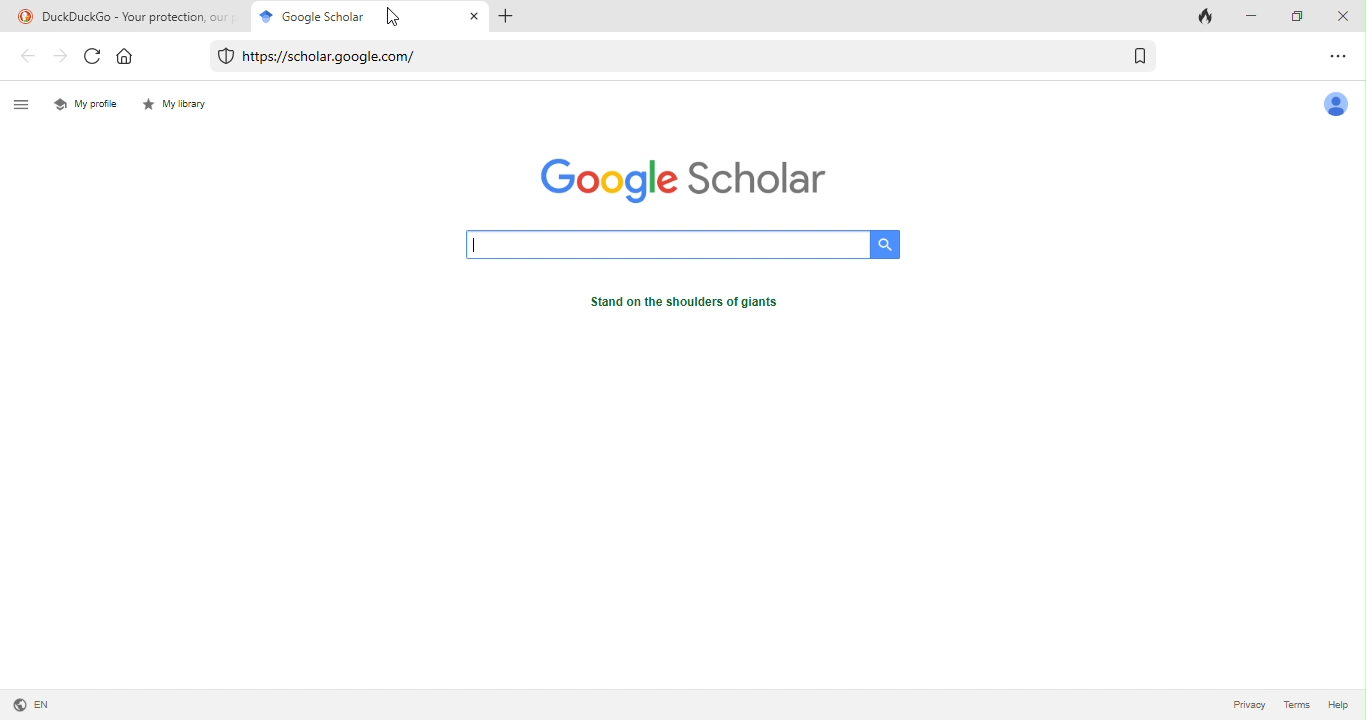 Image resolution: width=1366 pixels, height=720 pixels. What do you see at coordinates (62, 58) in the screenshot?
I see `forward` at bounding box center [62, 58].